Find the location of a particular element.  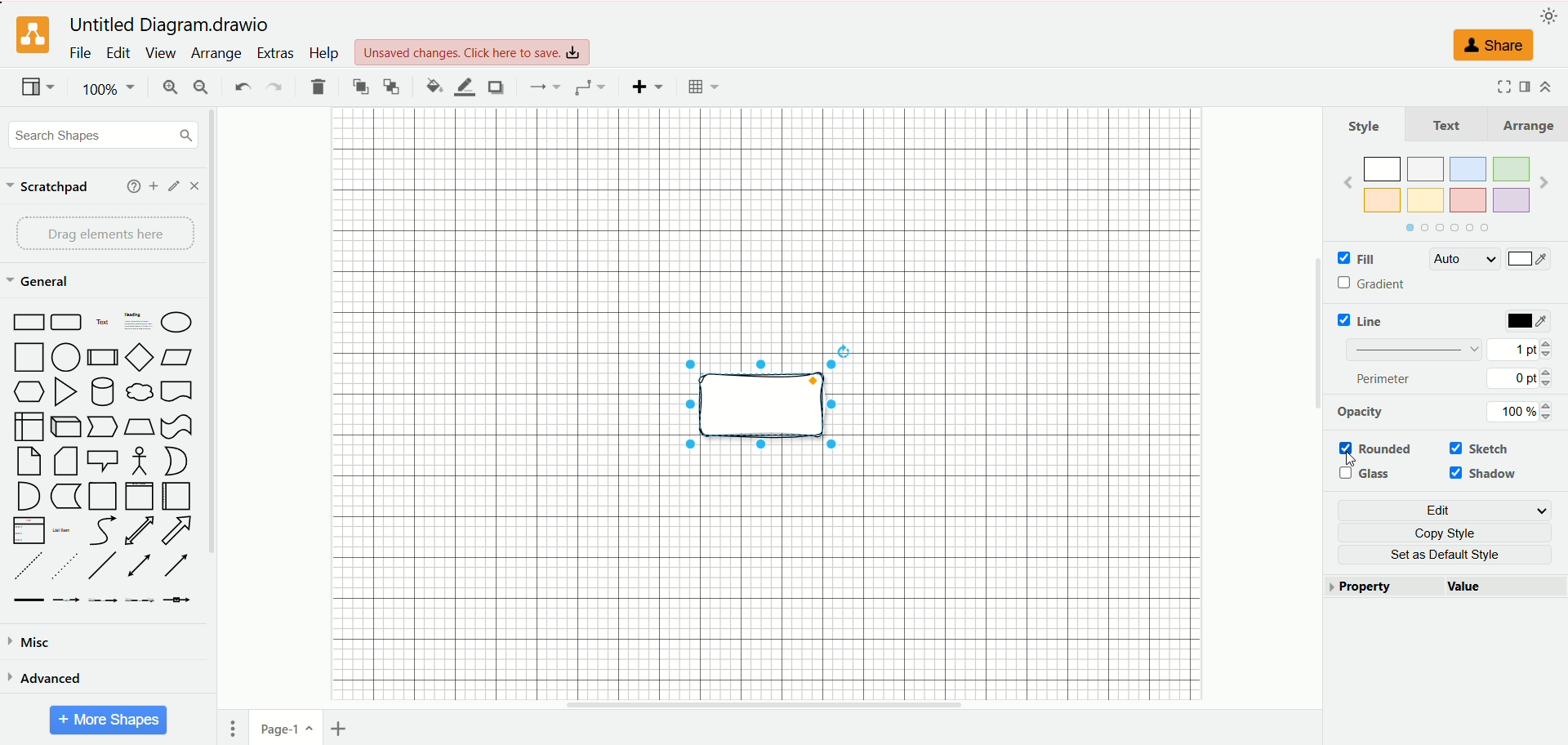

page-1 is located at coordinates (287, 726).